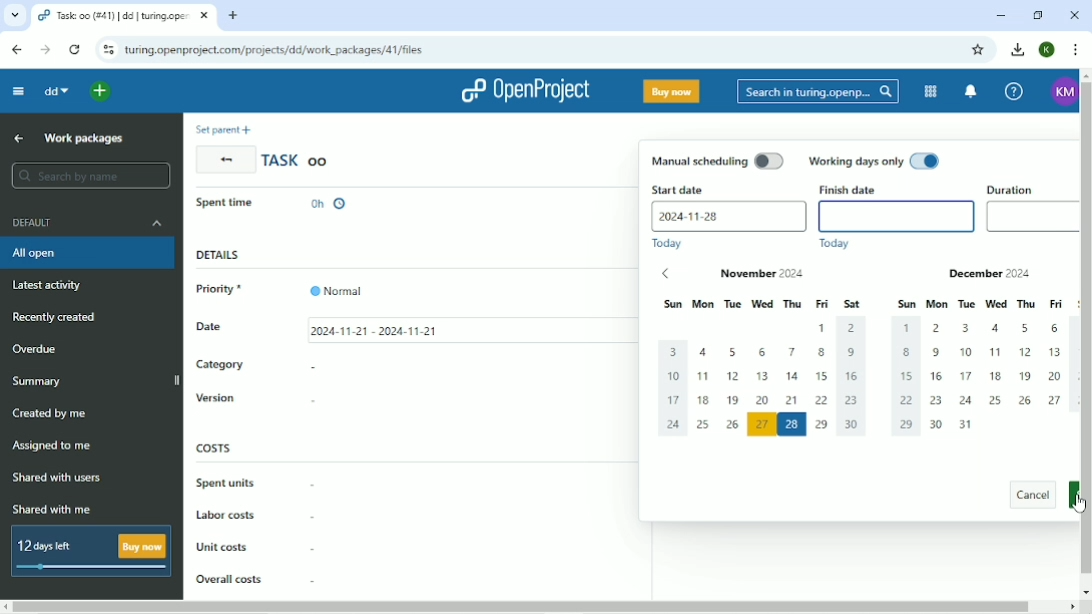 This screenshot has height=614, width=1092. I want to click on All open, so click(87, 253).